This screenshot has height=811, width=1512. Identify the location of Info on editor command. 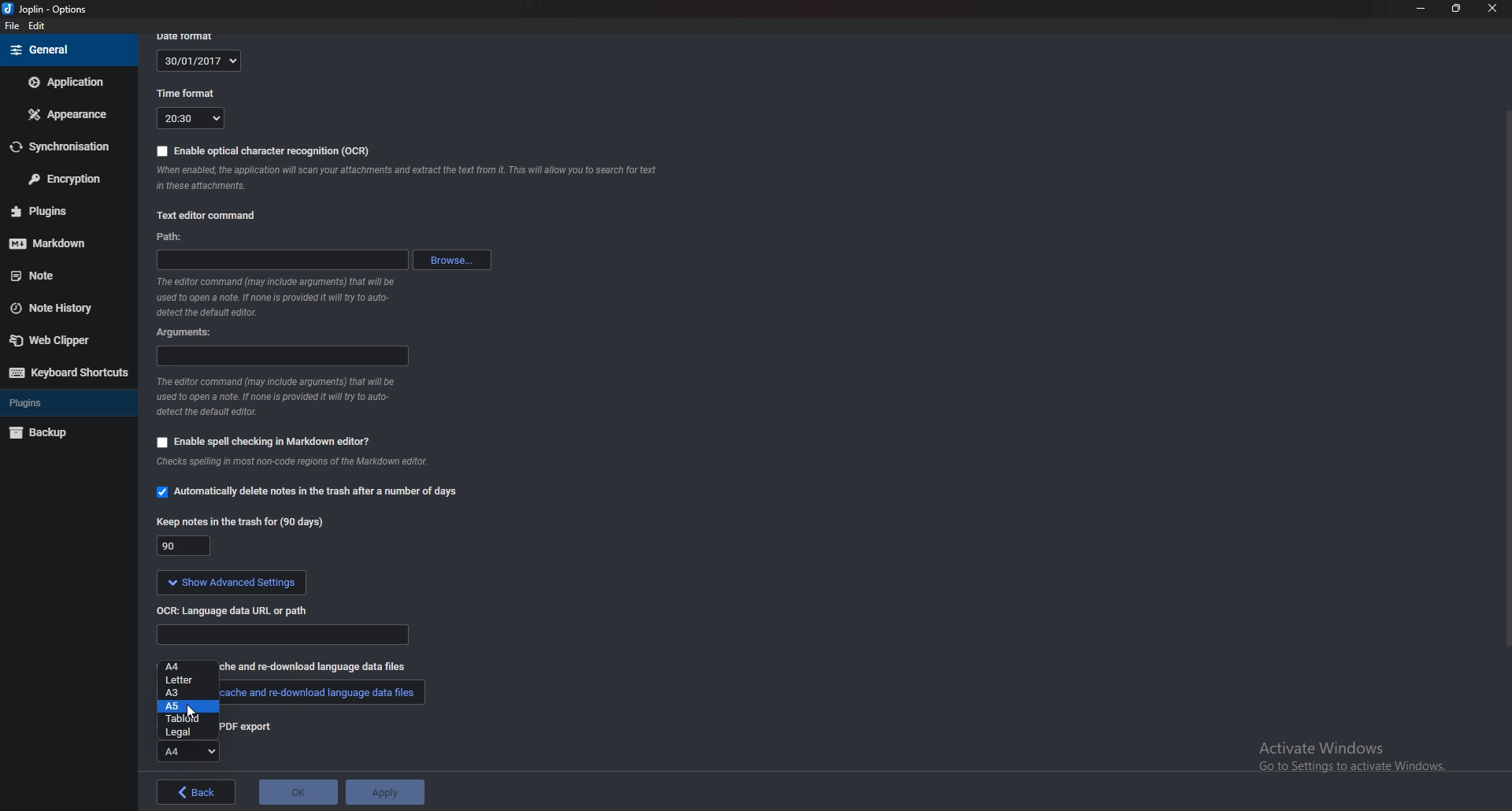
(280, 297).